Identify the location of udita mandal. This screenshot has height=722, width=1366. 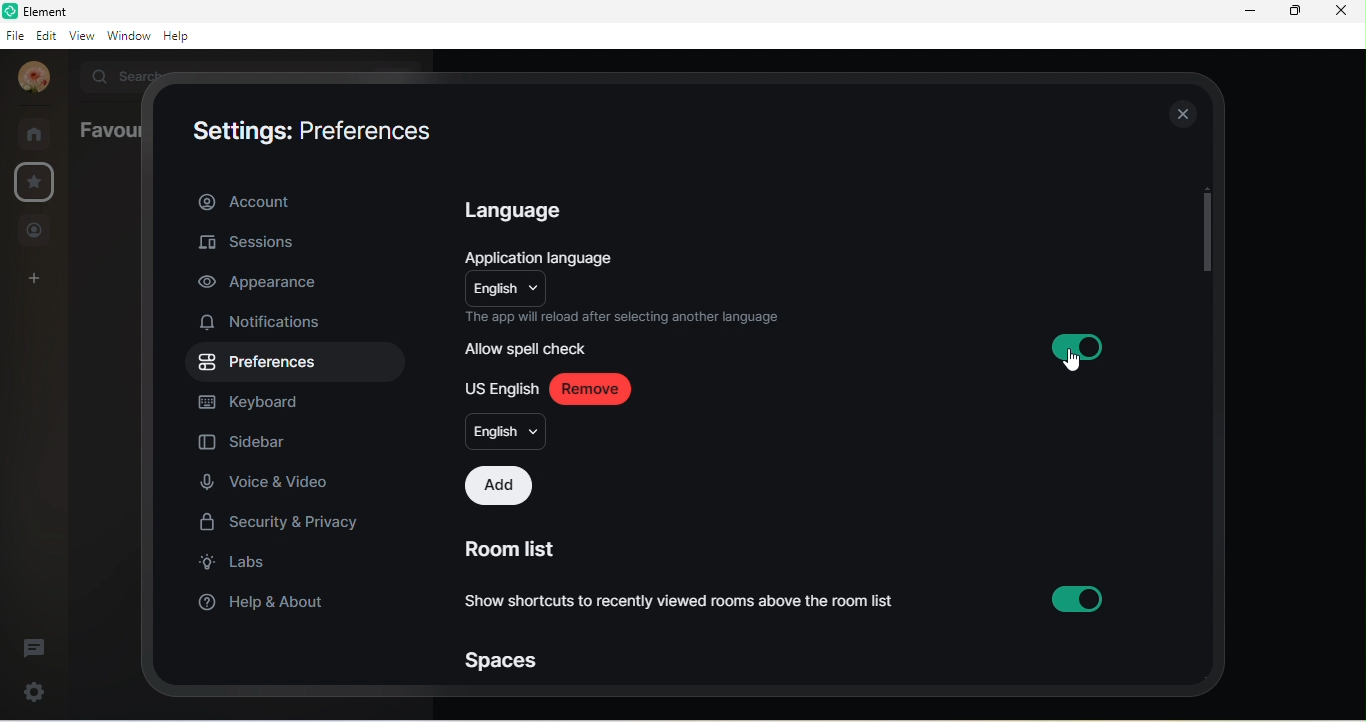
(29, 78).